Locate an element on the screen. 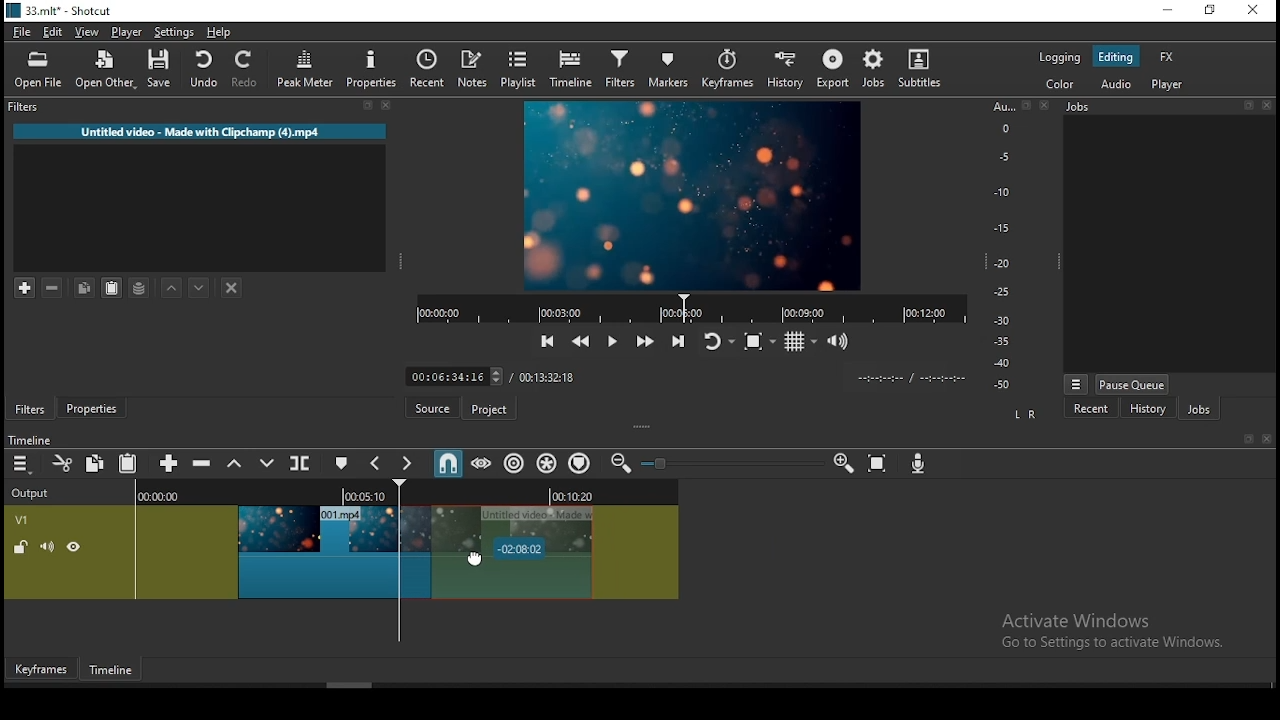 Image resolution: width=1280 pixels, height=720 pixels. subtitle is located at coordinates (917, 68).